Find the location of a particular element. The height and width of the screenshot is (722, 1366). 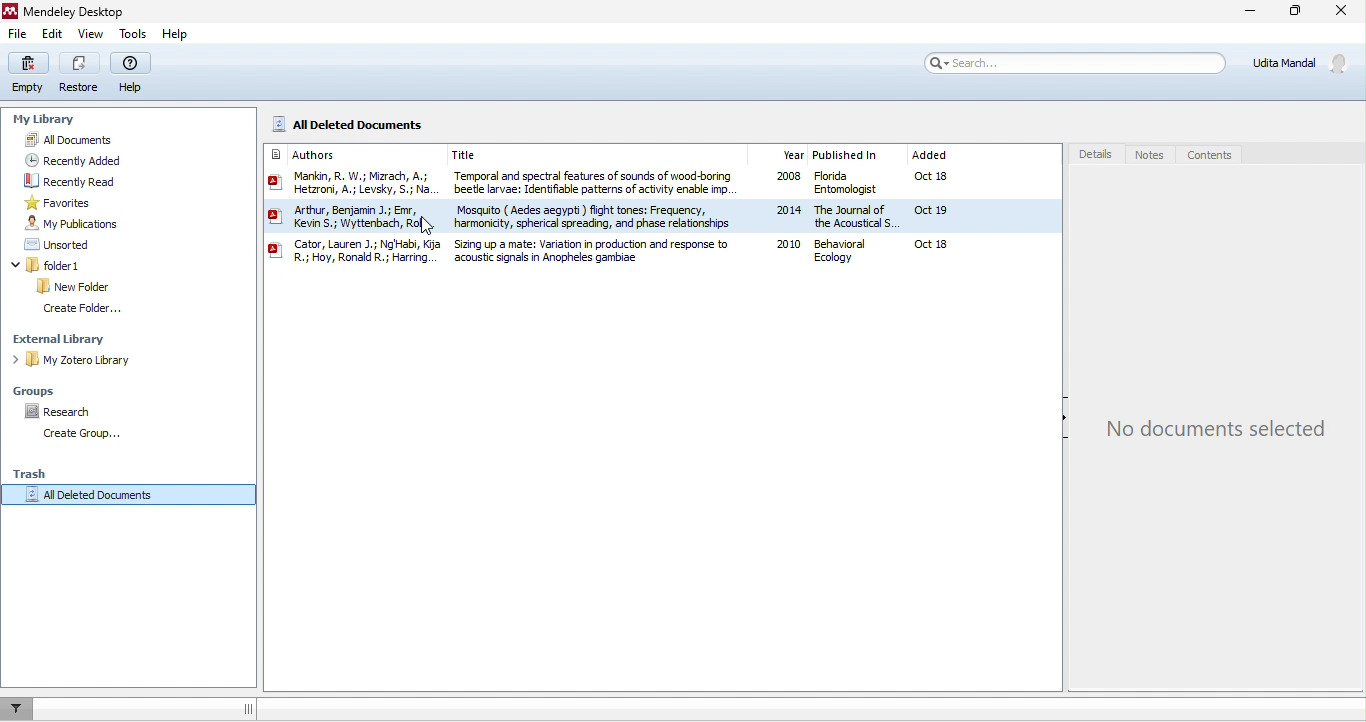

all documents is located at coordinates (87, 139).